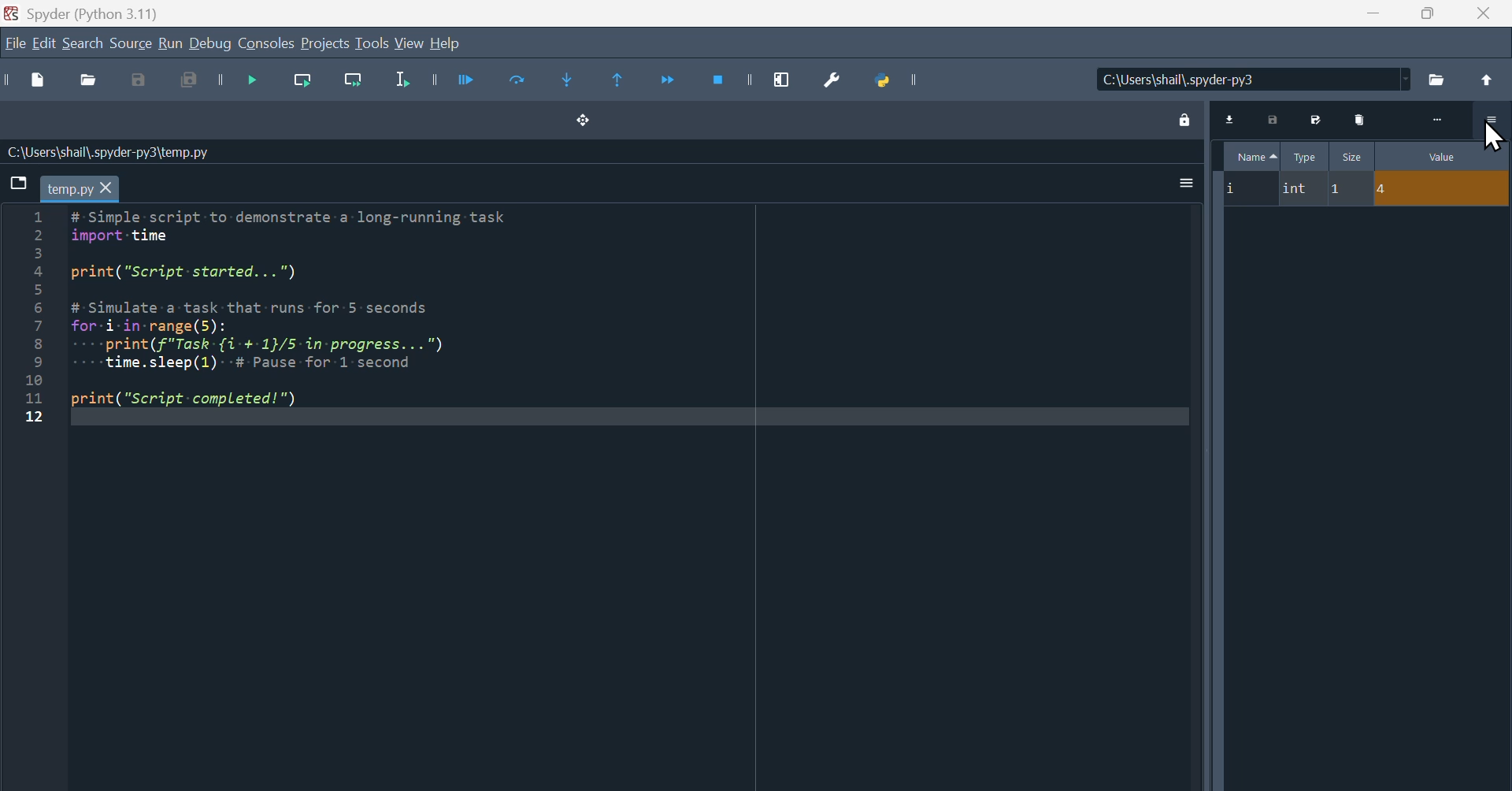 This screenshot has width=1512, height=791. Describe the element at coordinates (1492, 120) in the screenshot. I see `Settings` at that location.